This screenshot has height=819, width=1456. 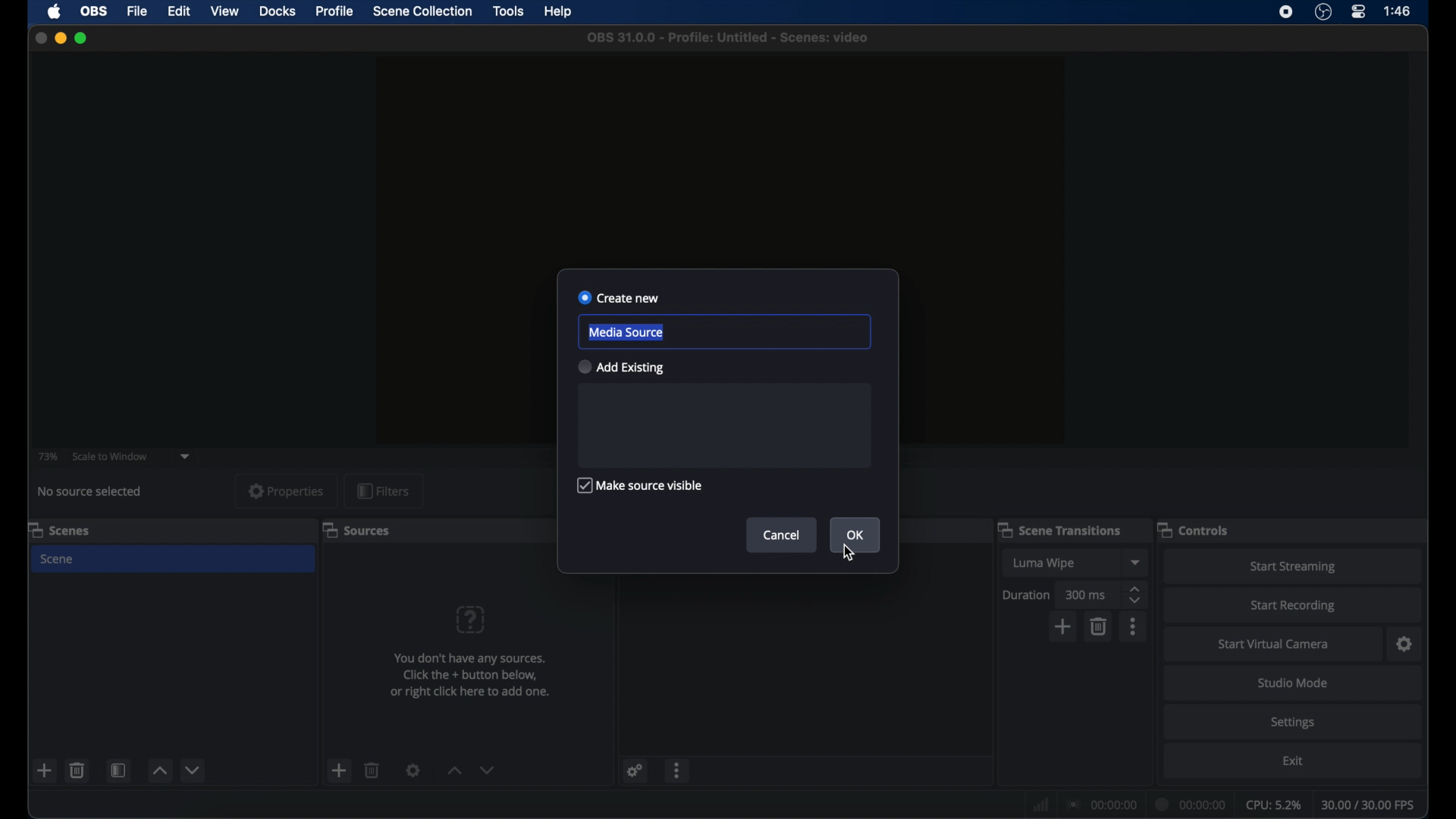 I want to click on connection, so click(x=1101, y=803).